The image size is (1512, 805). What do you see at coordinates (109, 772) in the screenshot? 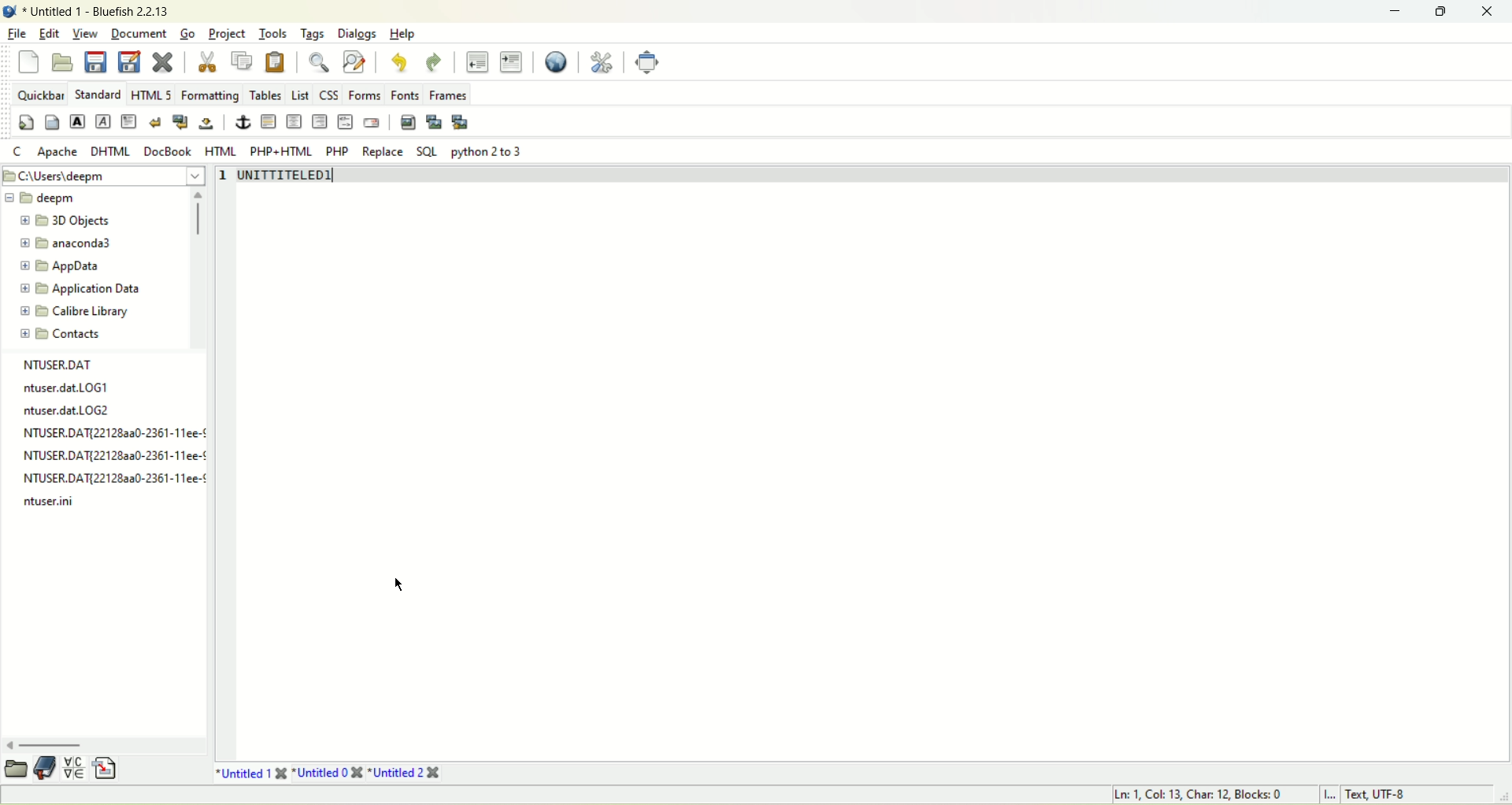
I see `insert file` at bounding box center [109, 772].